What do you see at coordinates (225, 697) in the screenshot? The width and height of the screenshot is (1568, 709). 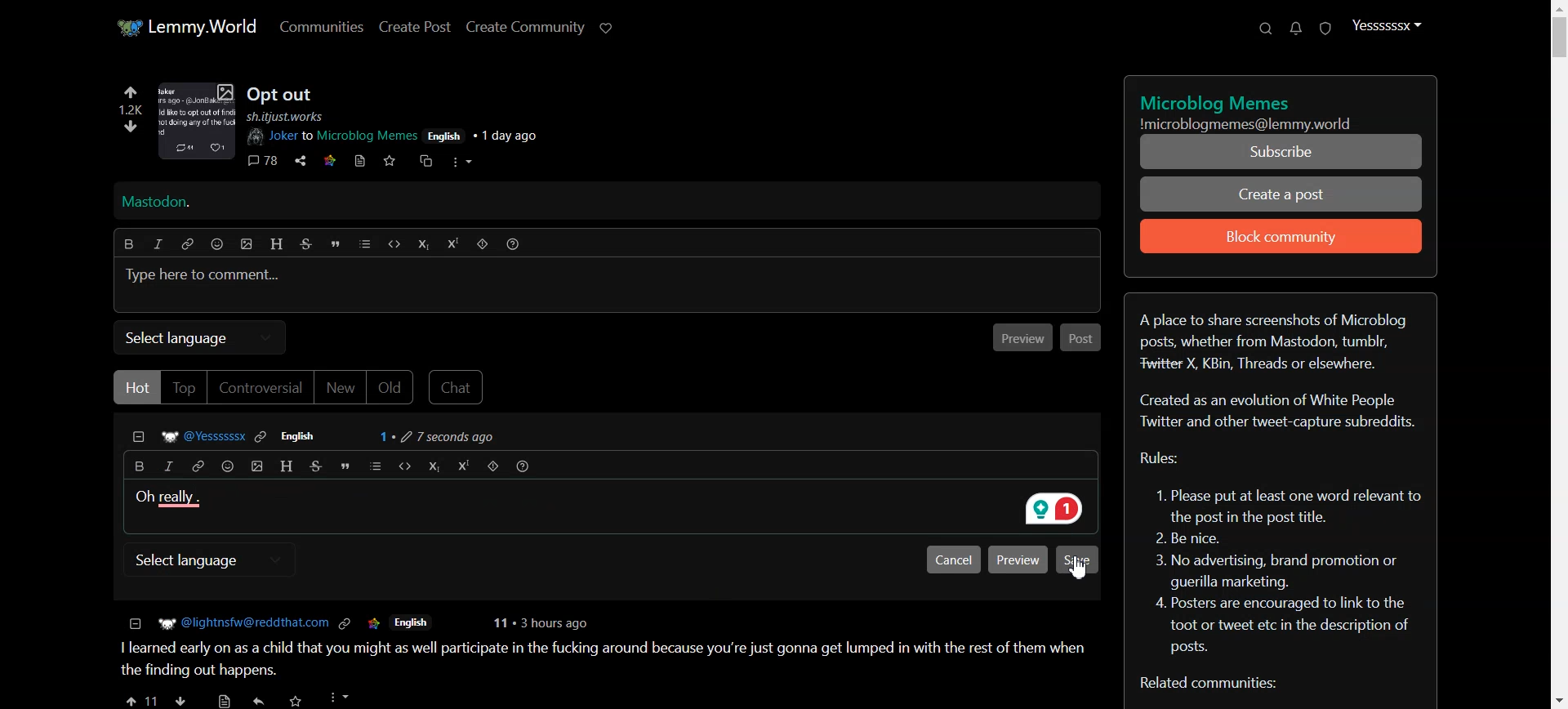 I see `save` at bounding box center [225, 697].